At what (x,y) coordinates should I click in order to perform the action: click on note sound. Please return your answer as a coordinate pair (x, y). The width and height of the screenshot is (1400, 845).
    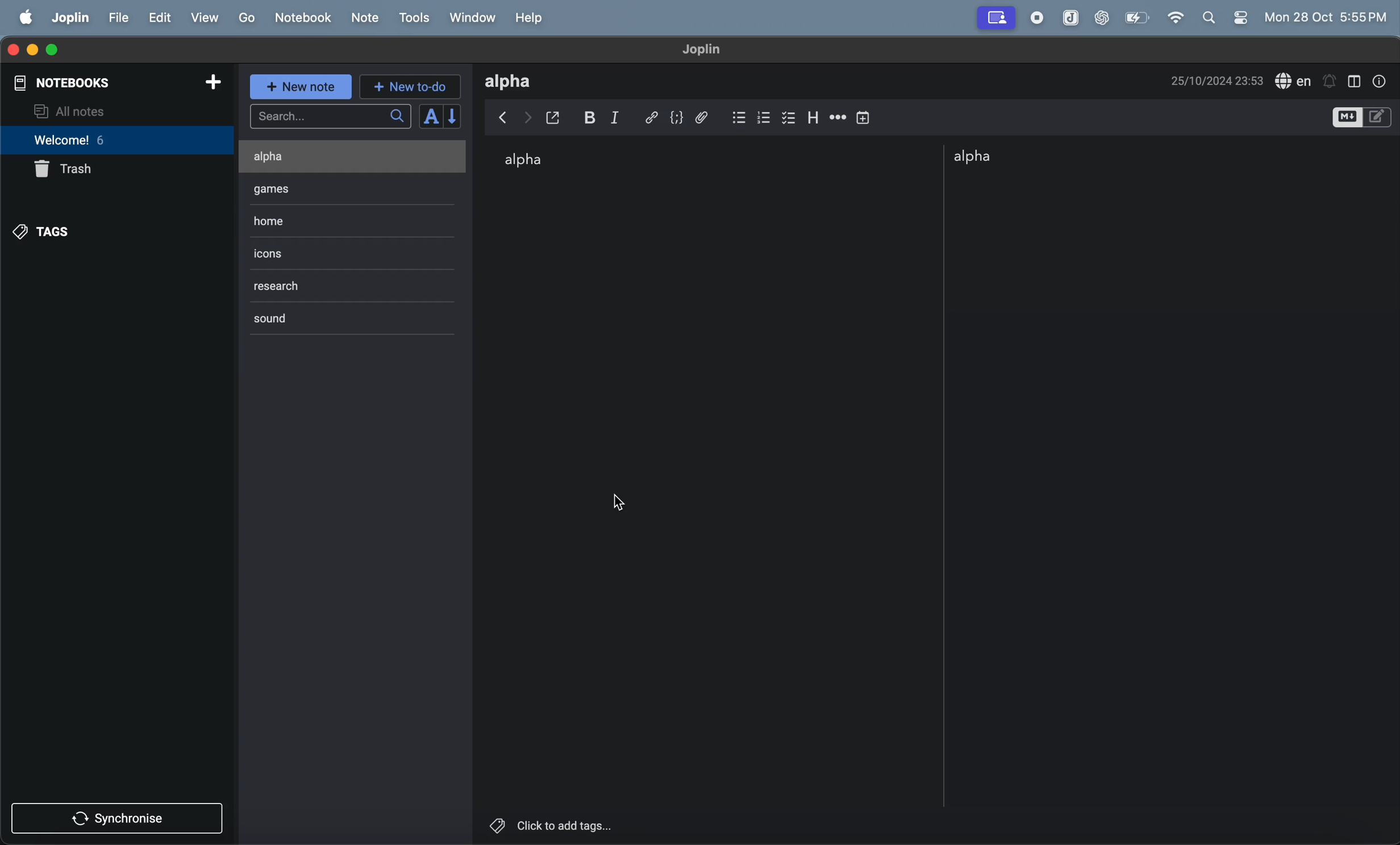
    Looking at the image, I should click on (291, 321).